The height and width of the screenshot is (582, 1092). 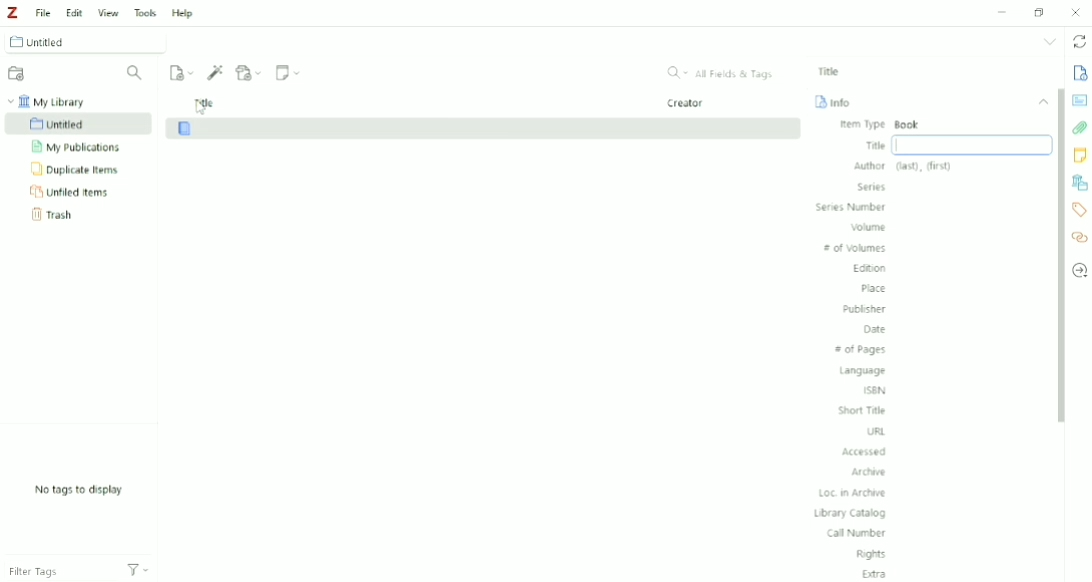 What do you see at coordinates (289, 73) in the screenshot?
I see `New Note` at bounding box center [289, 73].